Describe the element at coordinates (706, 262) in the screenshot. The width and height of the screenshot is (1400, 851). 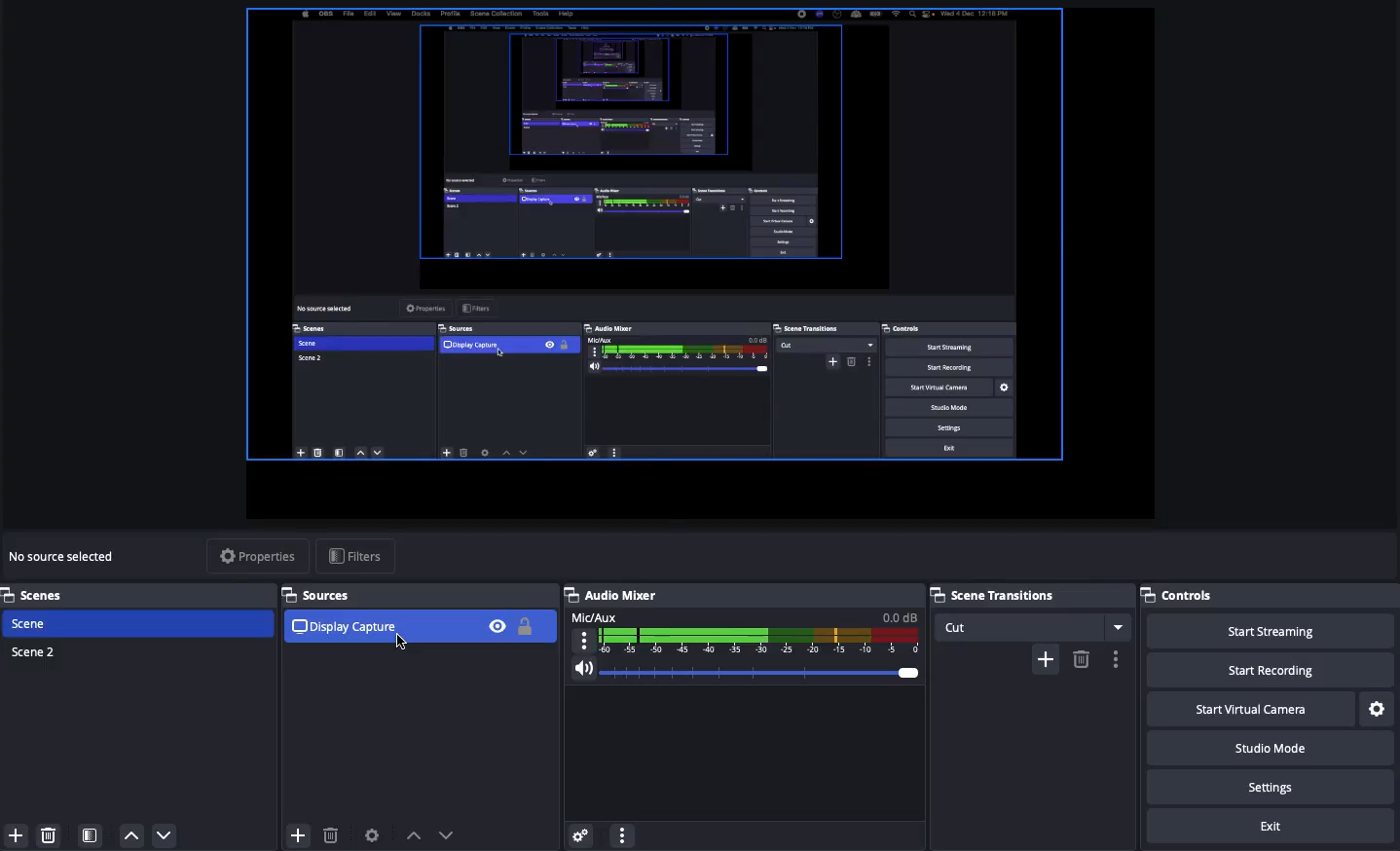
I see `Screen` at that location.